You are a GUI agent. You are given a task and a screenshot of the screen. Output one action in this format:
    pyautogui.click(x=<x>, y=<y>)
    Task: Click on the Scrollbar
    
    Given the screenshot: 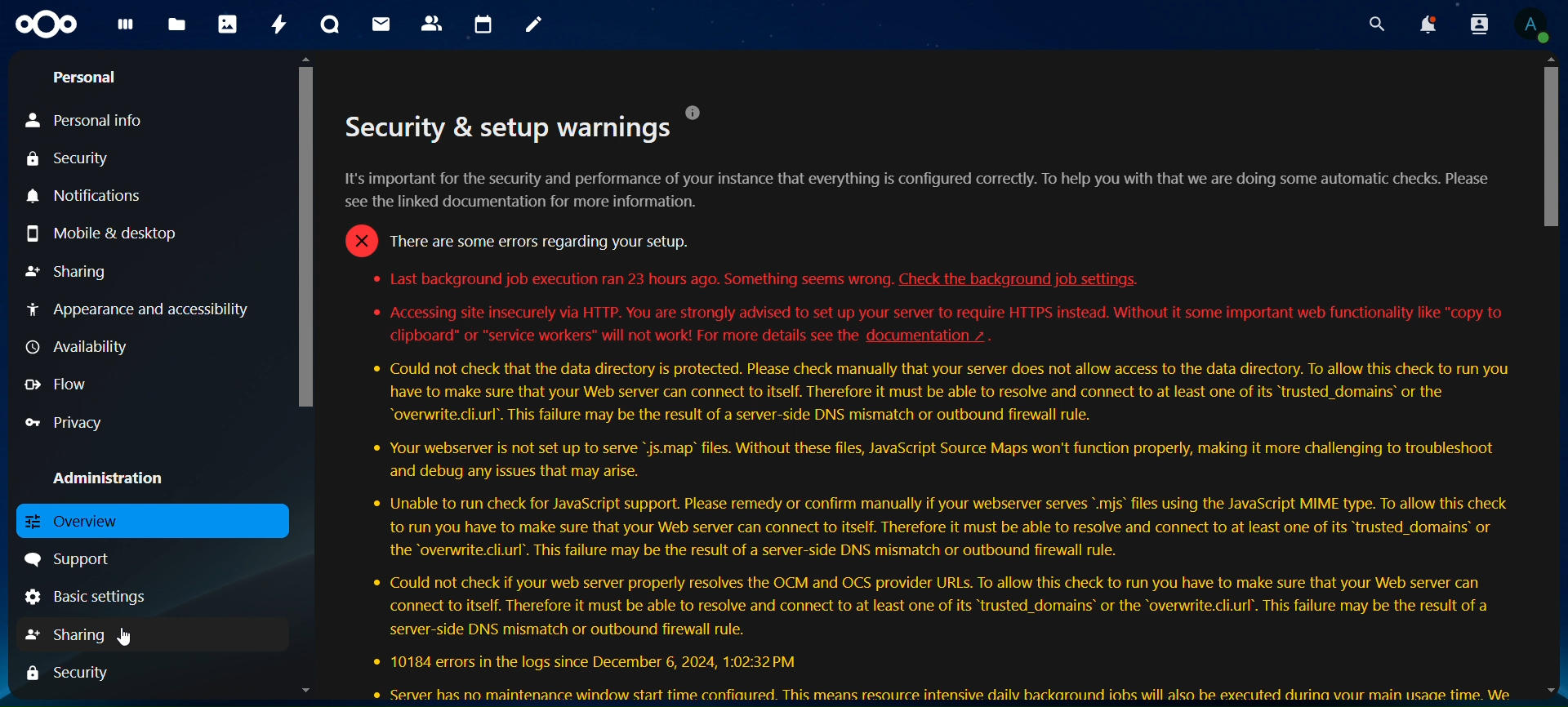 What is the action you would take?
    pyautogui.click(x=301, y=378)
    